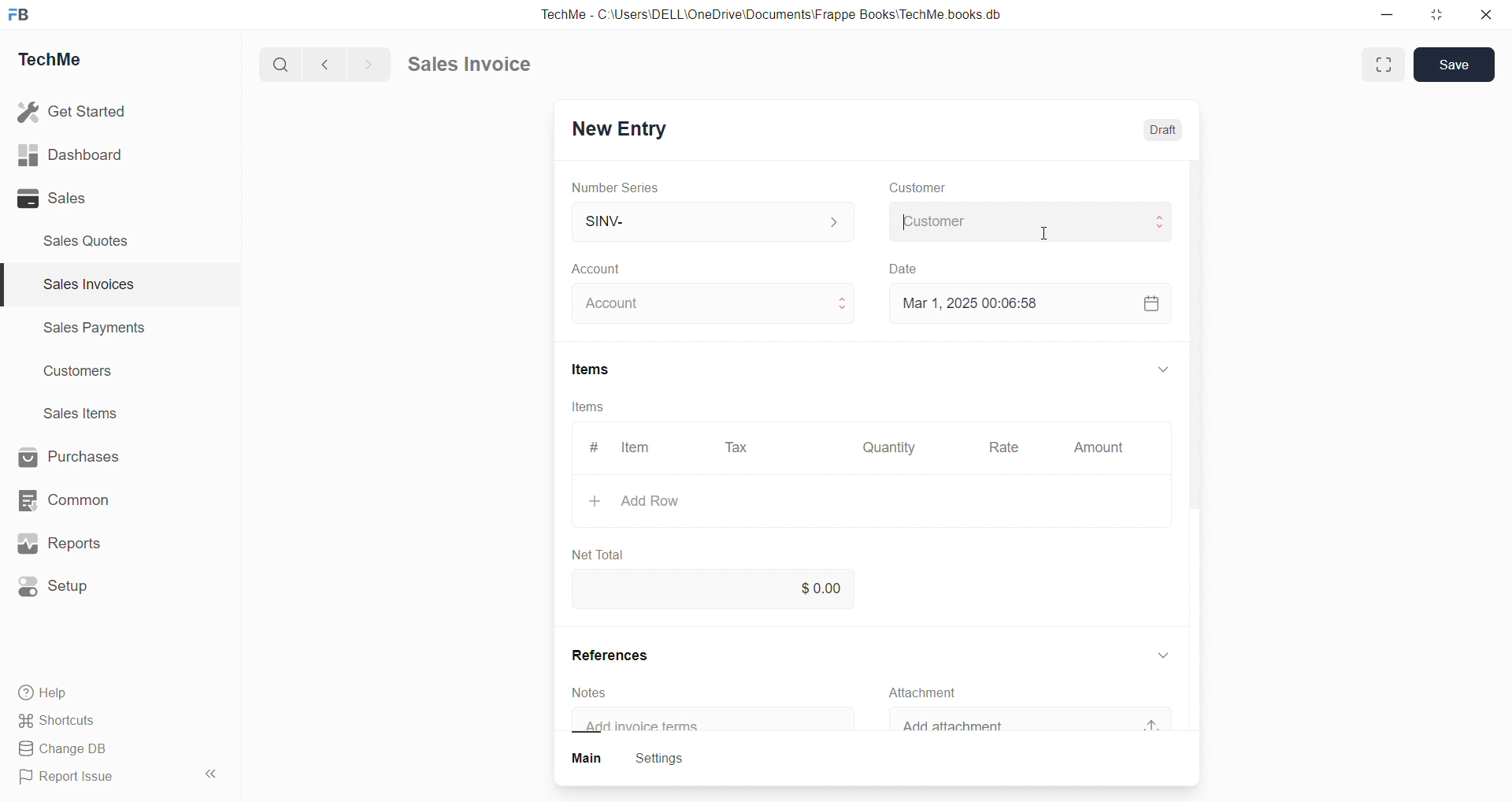 This screenshot has width=1512, height=802. Describe the element at coordinates (1169, 132) in the screenshot. I see `Draft` at that location.